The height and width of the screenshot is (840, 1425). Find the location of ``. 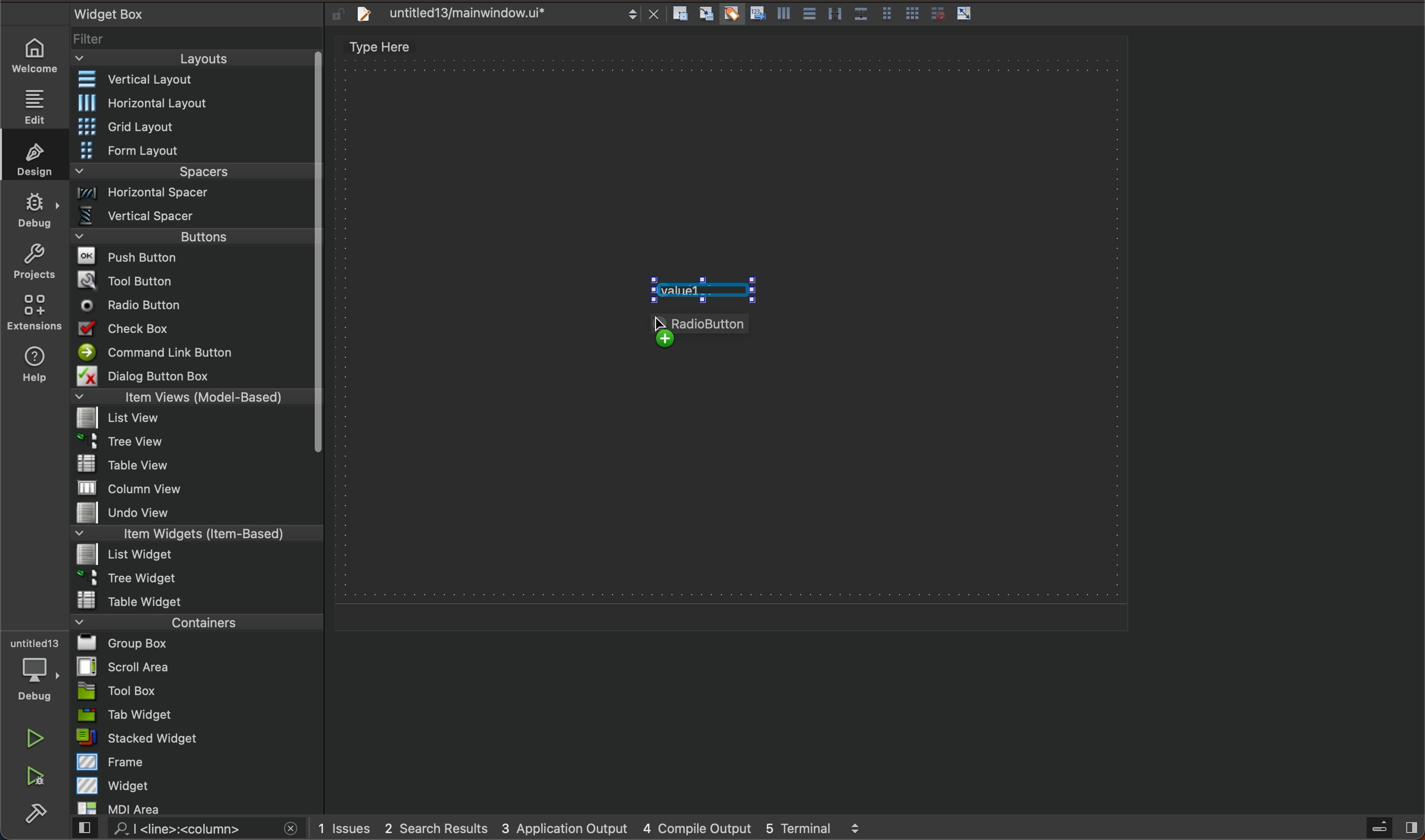

 is located at coordinates (730, 15).